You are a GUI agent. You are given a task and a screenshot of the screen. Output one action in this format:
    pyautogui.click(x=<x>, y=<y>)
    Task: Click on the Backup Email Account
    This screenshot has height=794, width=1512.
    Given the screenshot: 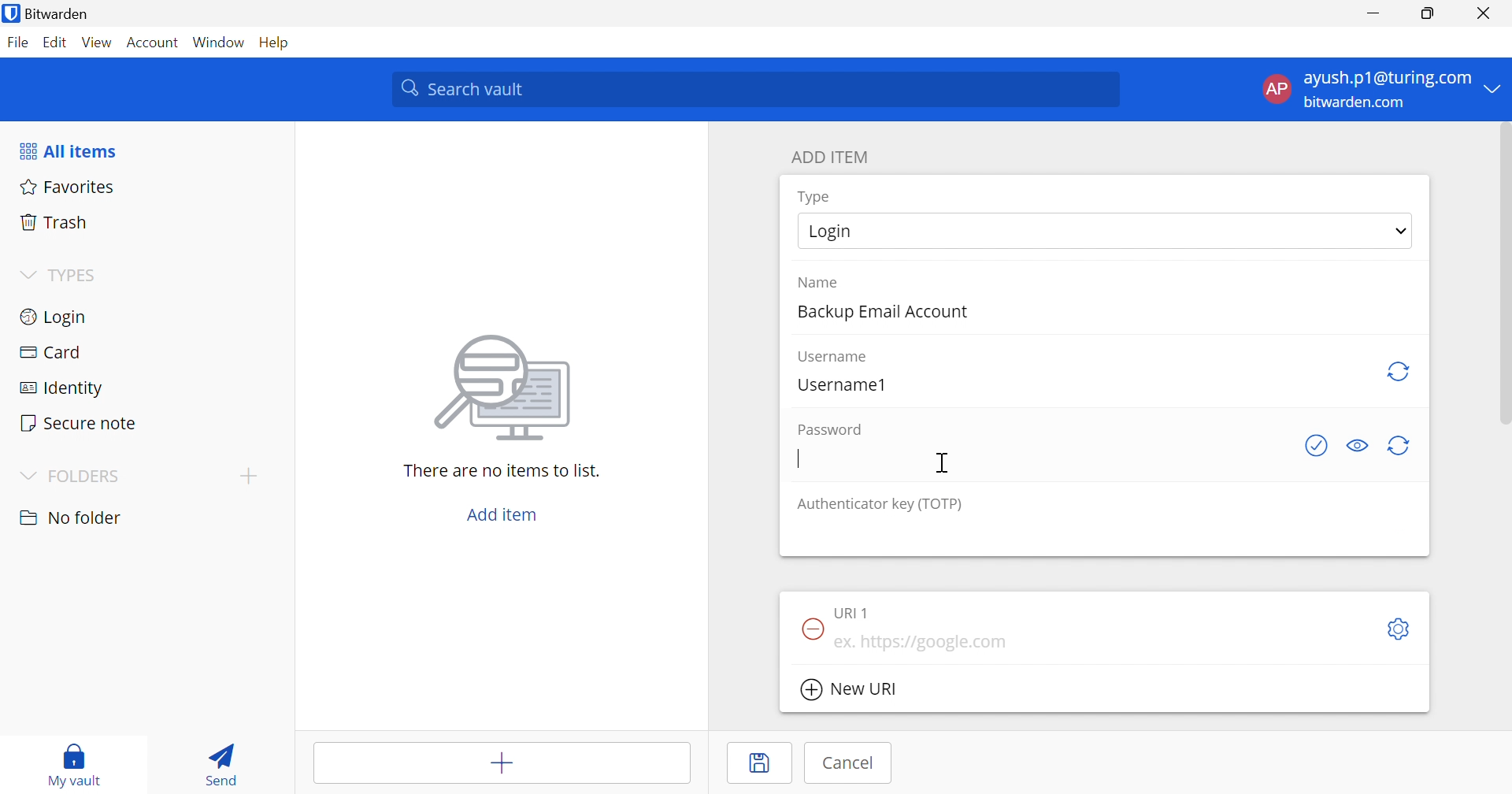 What is the action you would take?
    pyautogui.click(x=880, y=313)
    